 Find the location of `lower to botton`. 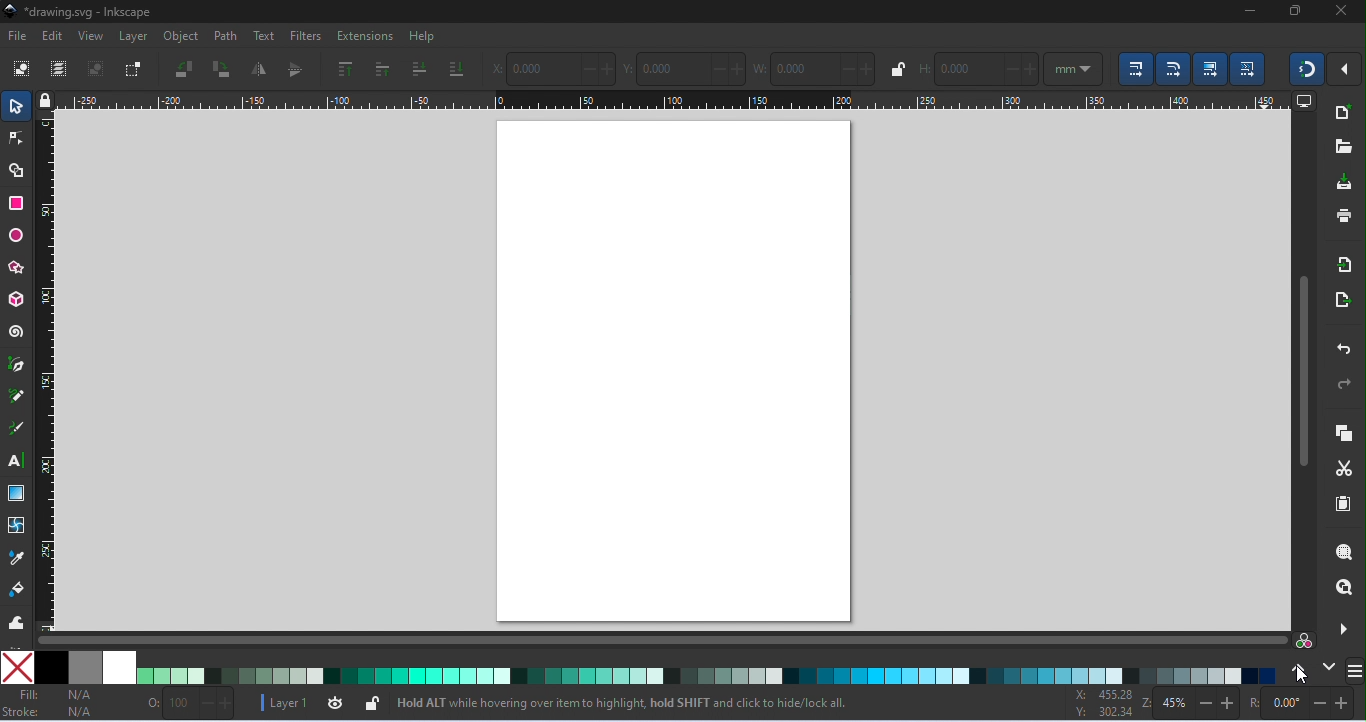

lower to botton is located at coordinates (456, 71).